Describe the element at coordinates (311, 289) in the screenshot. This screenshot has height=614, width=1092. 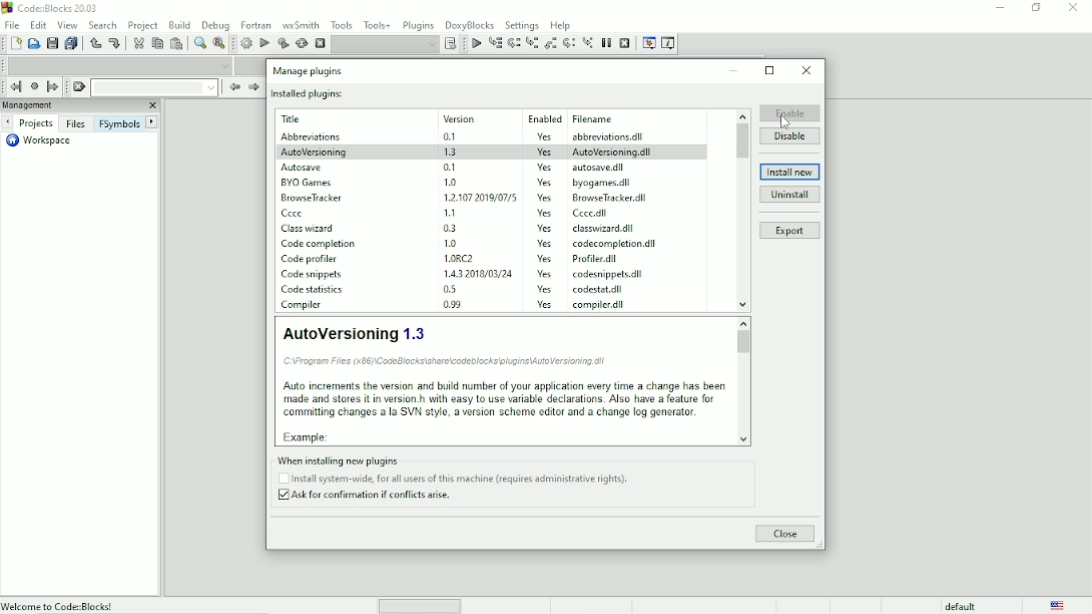
I see `plugin` at that location.